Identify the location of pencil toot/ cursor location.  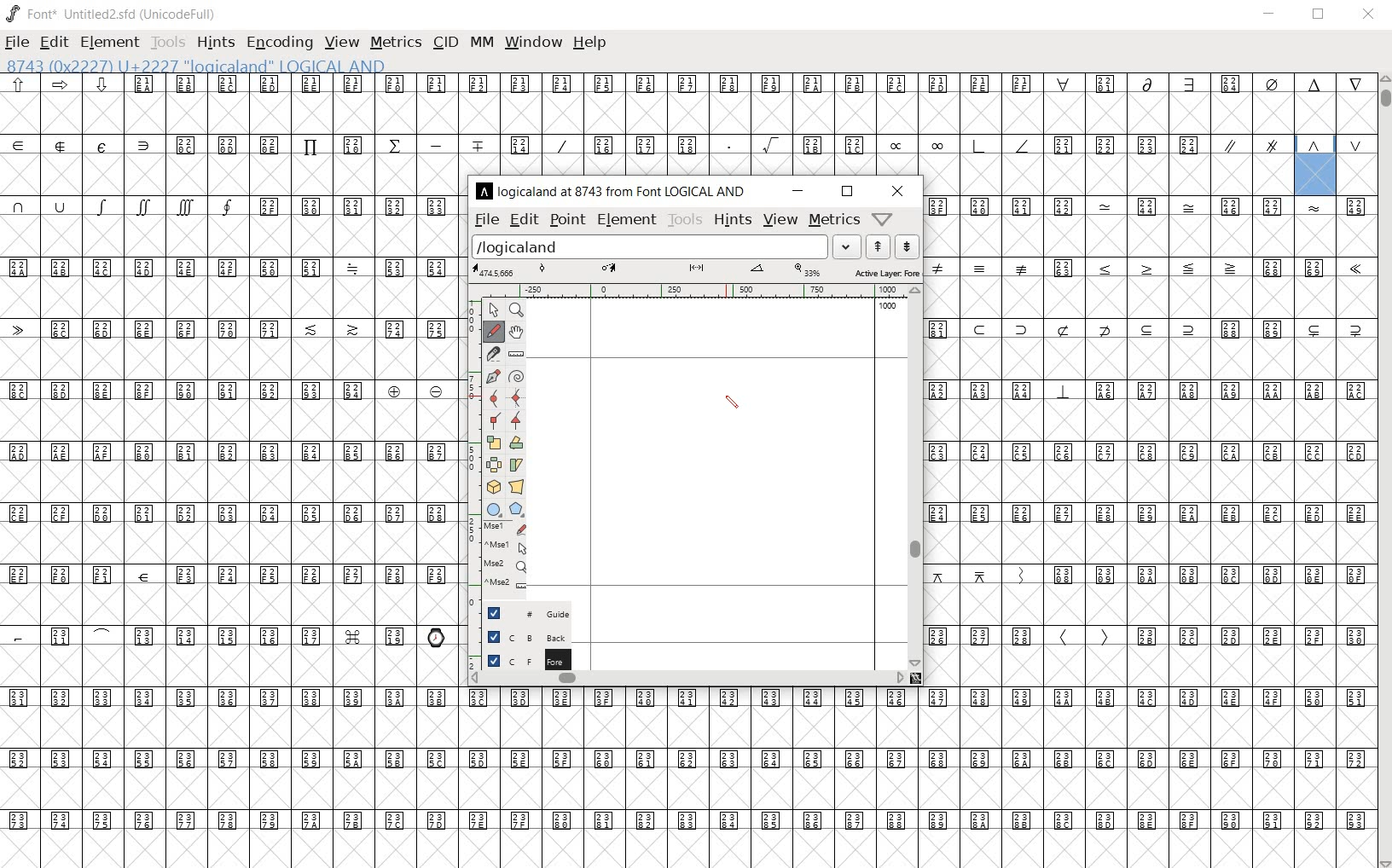
(732, 402).